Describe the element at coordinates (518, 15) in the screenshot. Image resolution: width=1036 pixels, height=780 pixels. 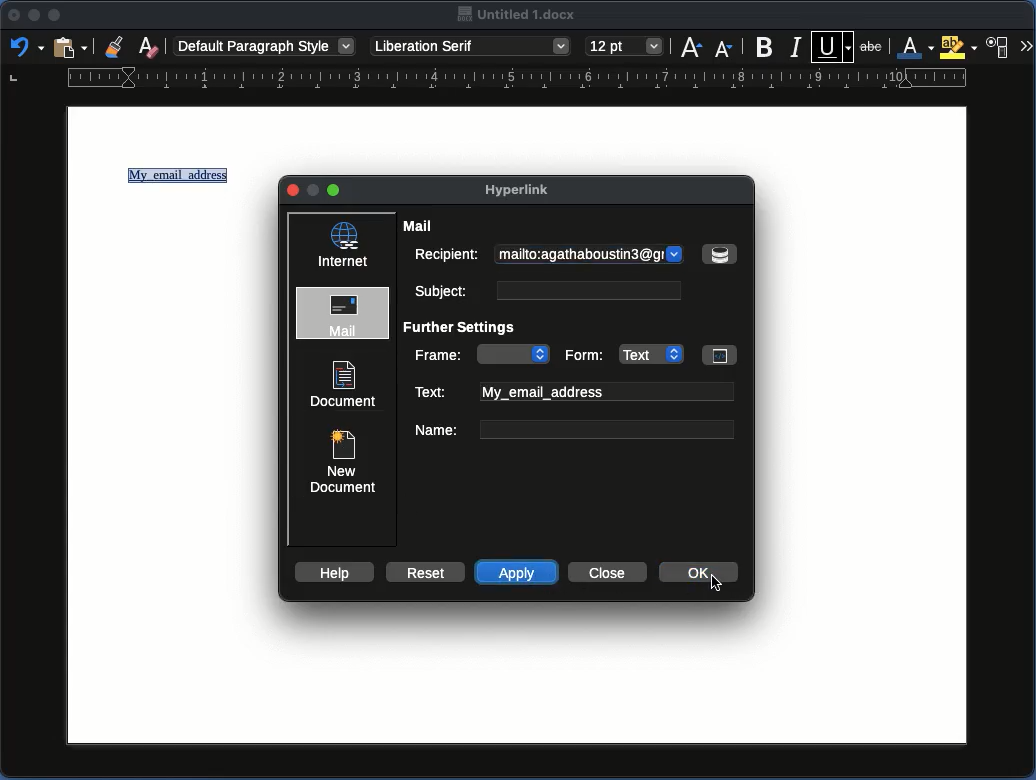
I see `Untitled. 1 docx` at that location.